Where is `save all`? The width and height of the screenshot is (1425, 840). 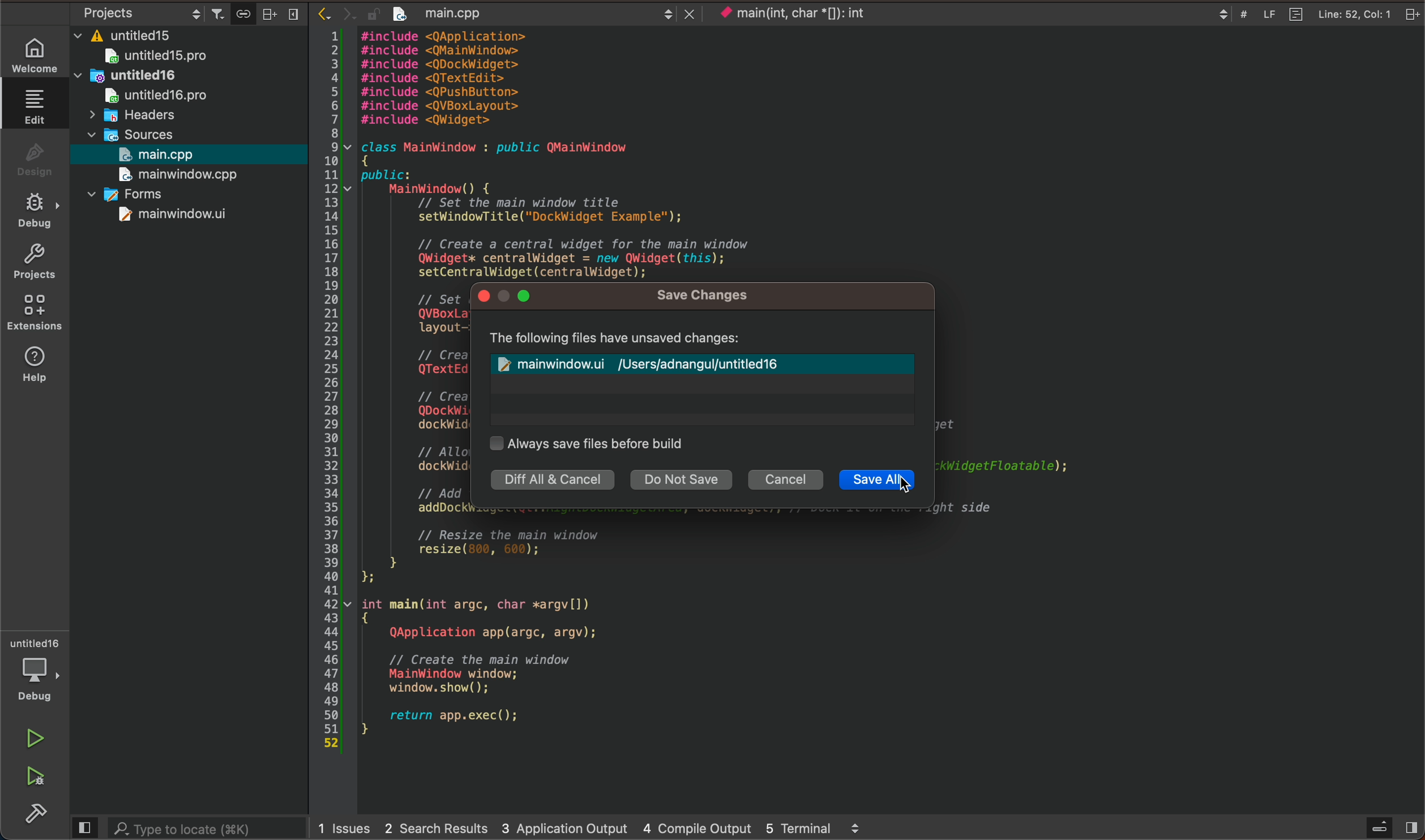 save all is located at coordinates (865, 481).